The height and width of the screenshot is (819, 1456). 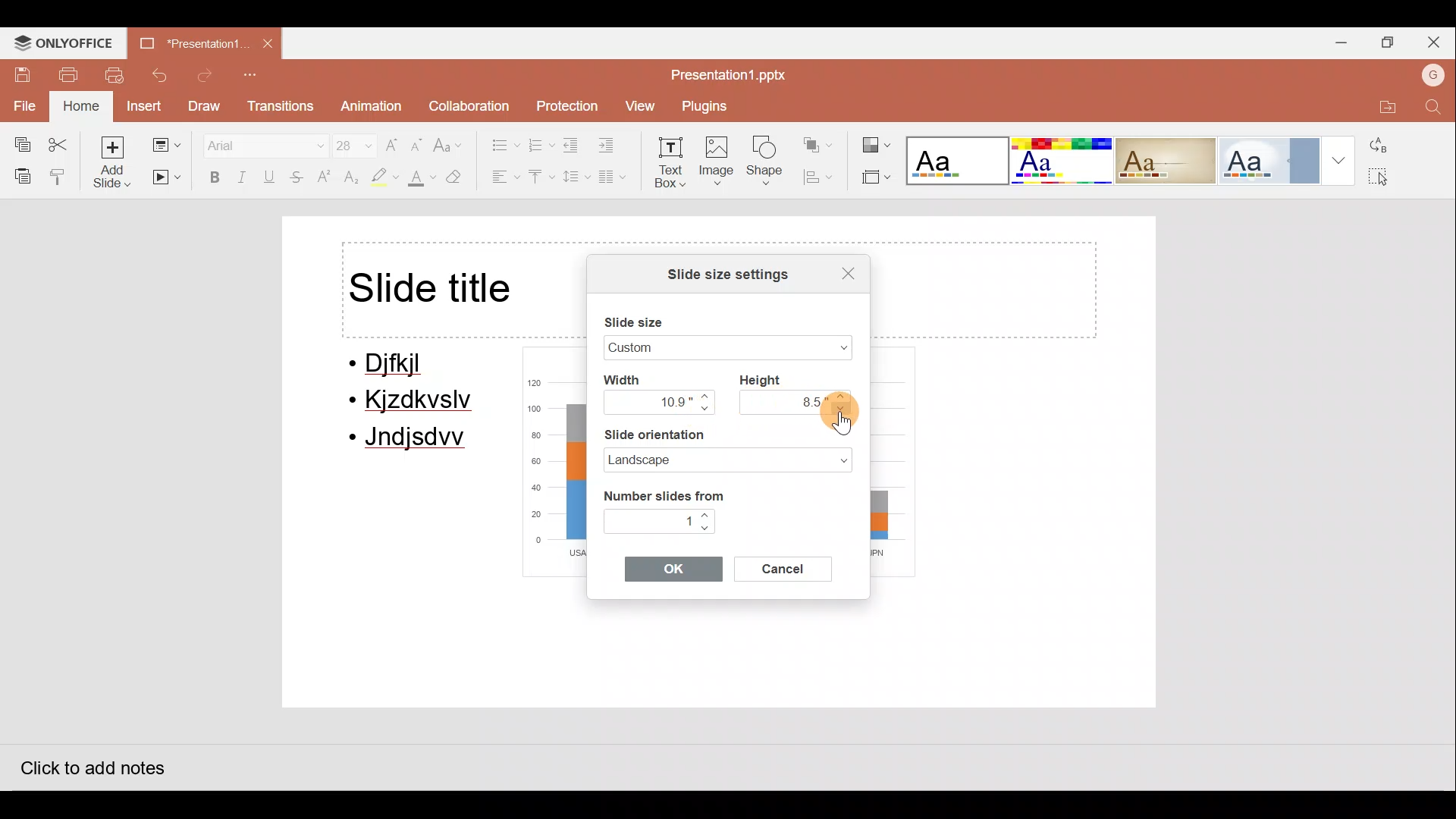 I want to click on Change colour theme, so click(x=877, y=140).